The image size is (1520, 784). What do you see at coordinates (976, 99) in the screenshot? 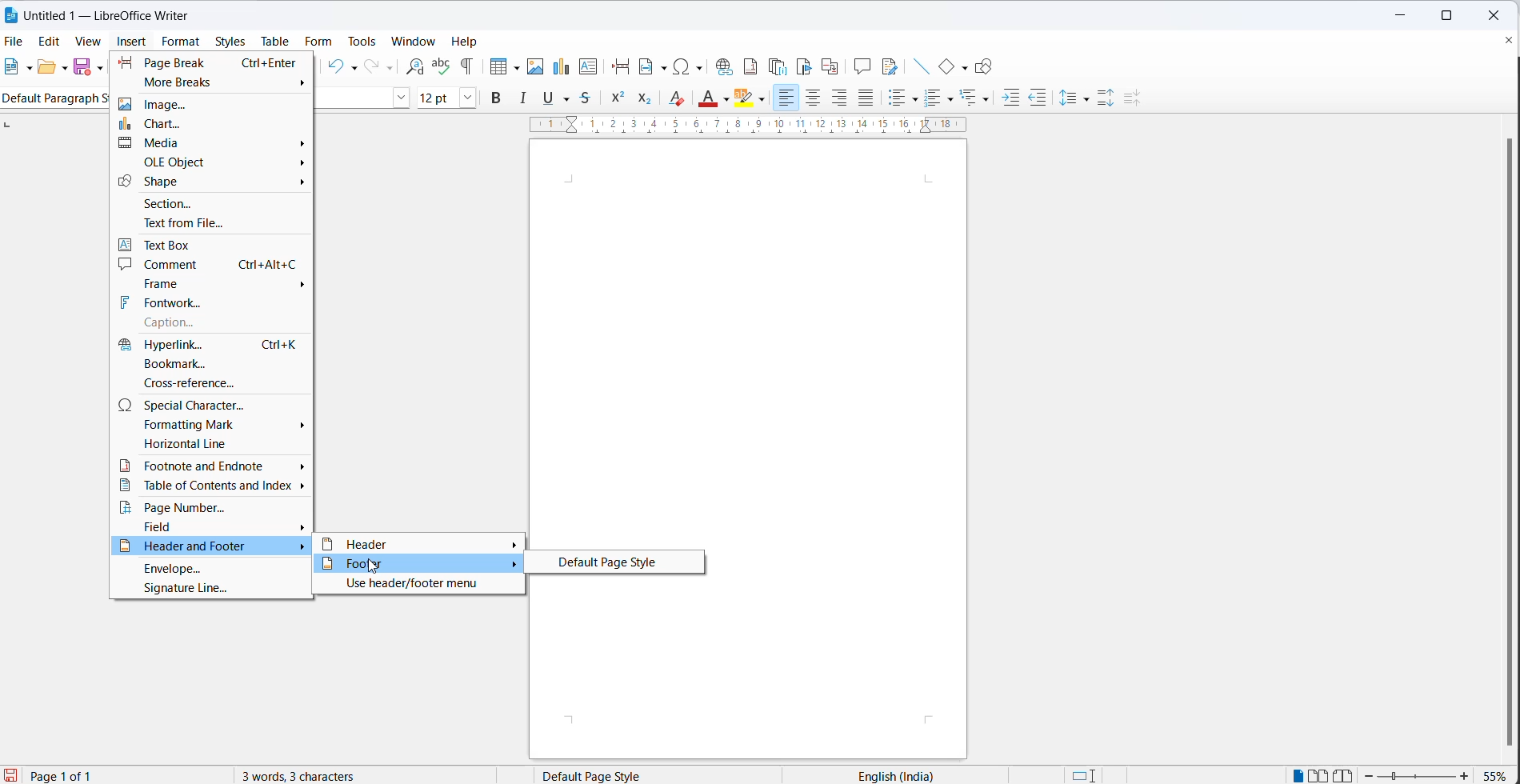
I see `select outline format` at bounding box center [976, 99].